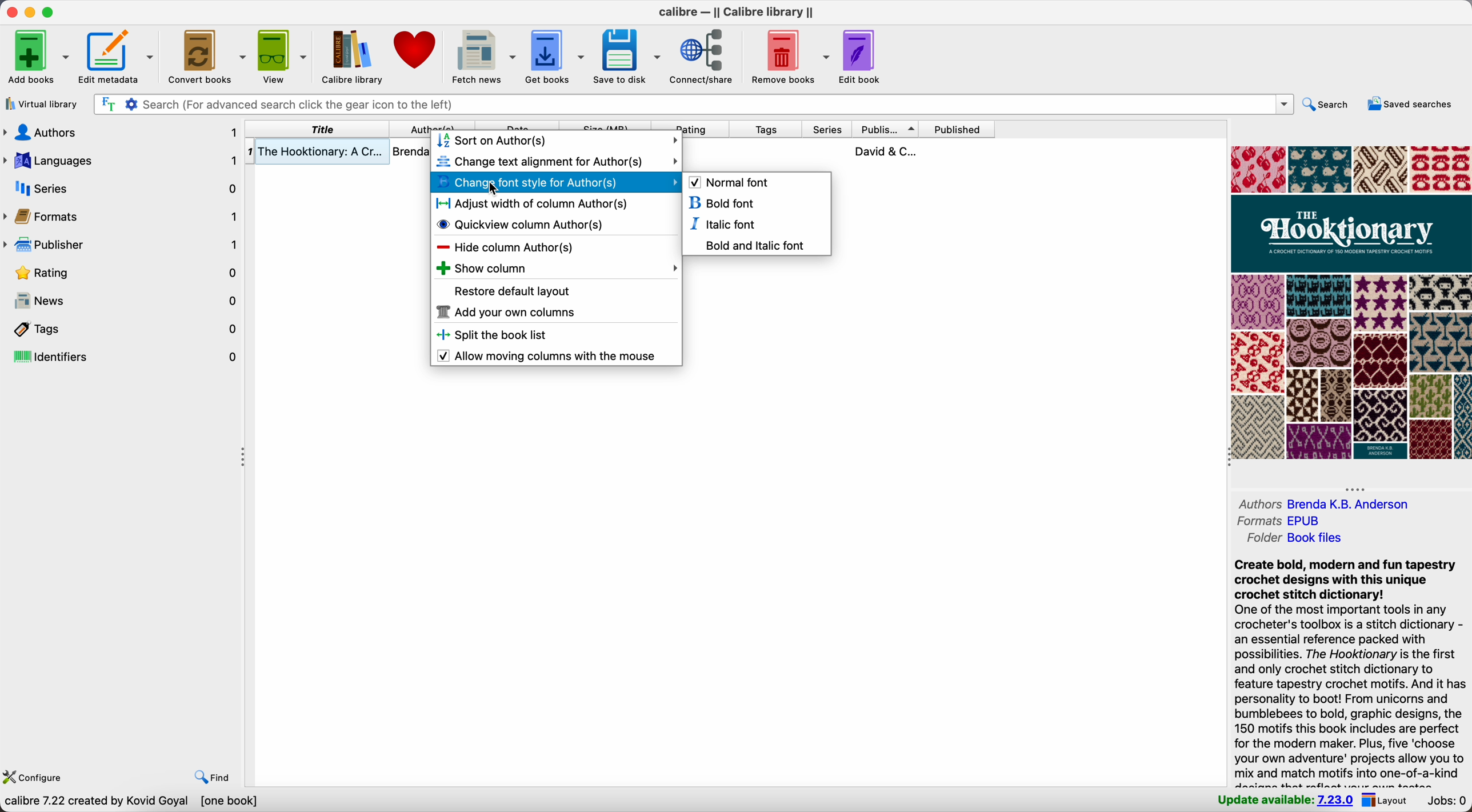 This screenshot has width=1472, height=812. Describe the element at coordinates (1411, 103) in the screenshot. I see `saved searches` at that location.